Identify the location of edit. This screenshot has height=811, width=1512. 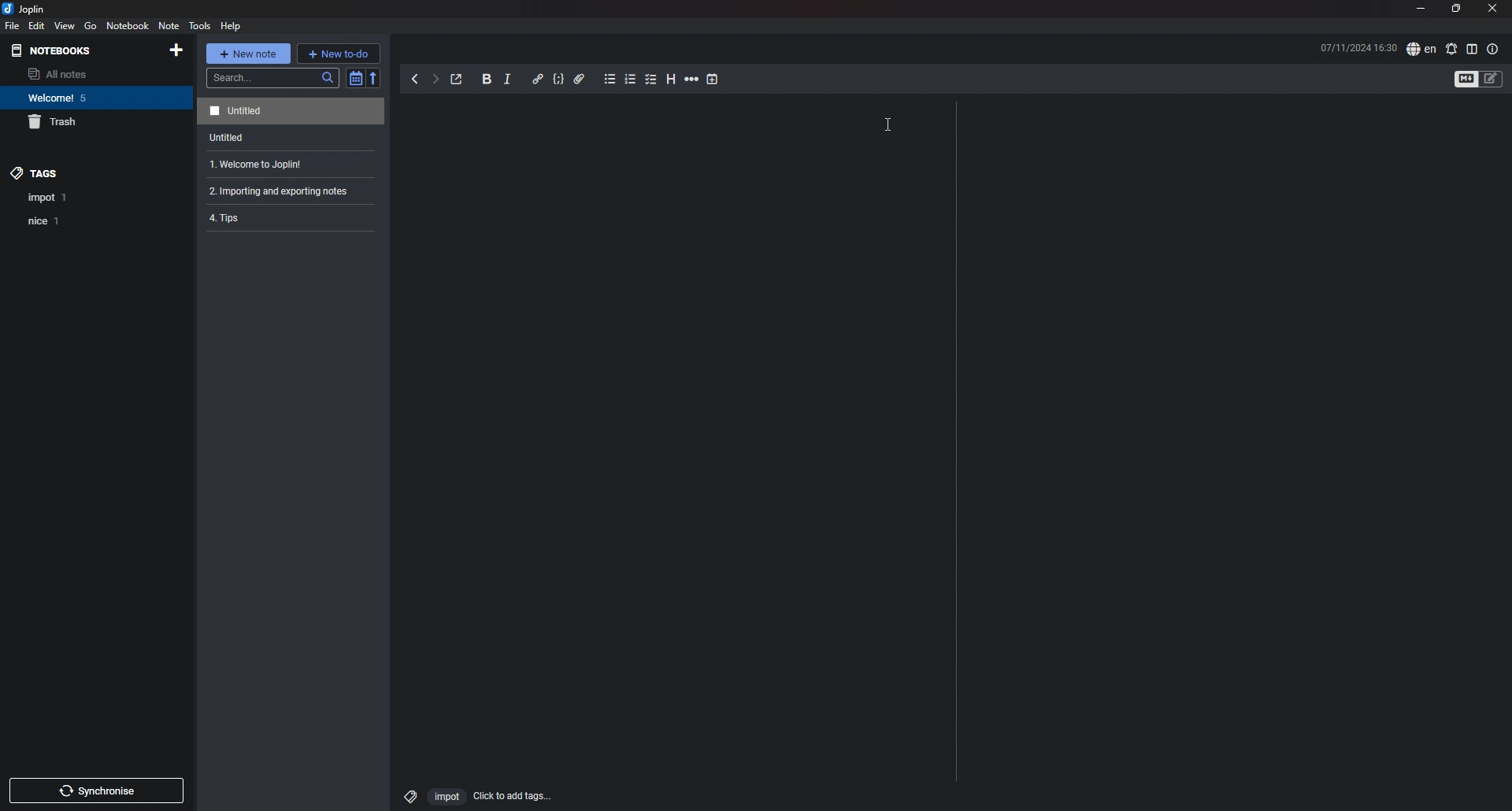
(35, 25).